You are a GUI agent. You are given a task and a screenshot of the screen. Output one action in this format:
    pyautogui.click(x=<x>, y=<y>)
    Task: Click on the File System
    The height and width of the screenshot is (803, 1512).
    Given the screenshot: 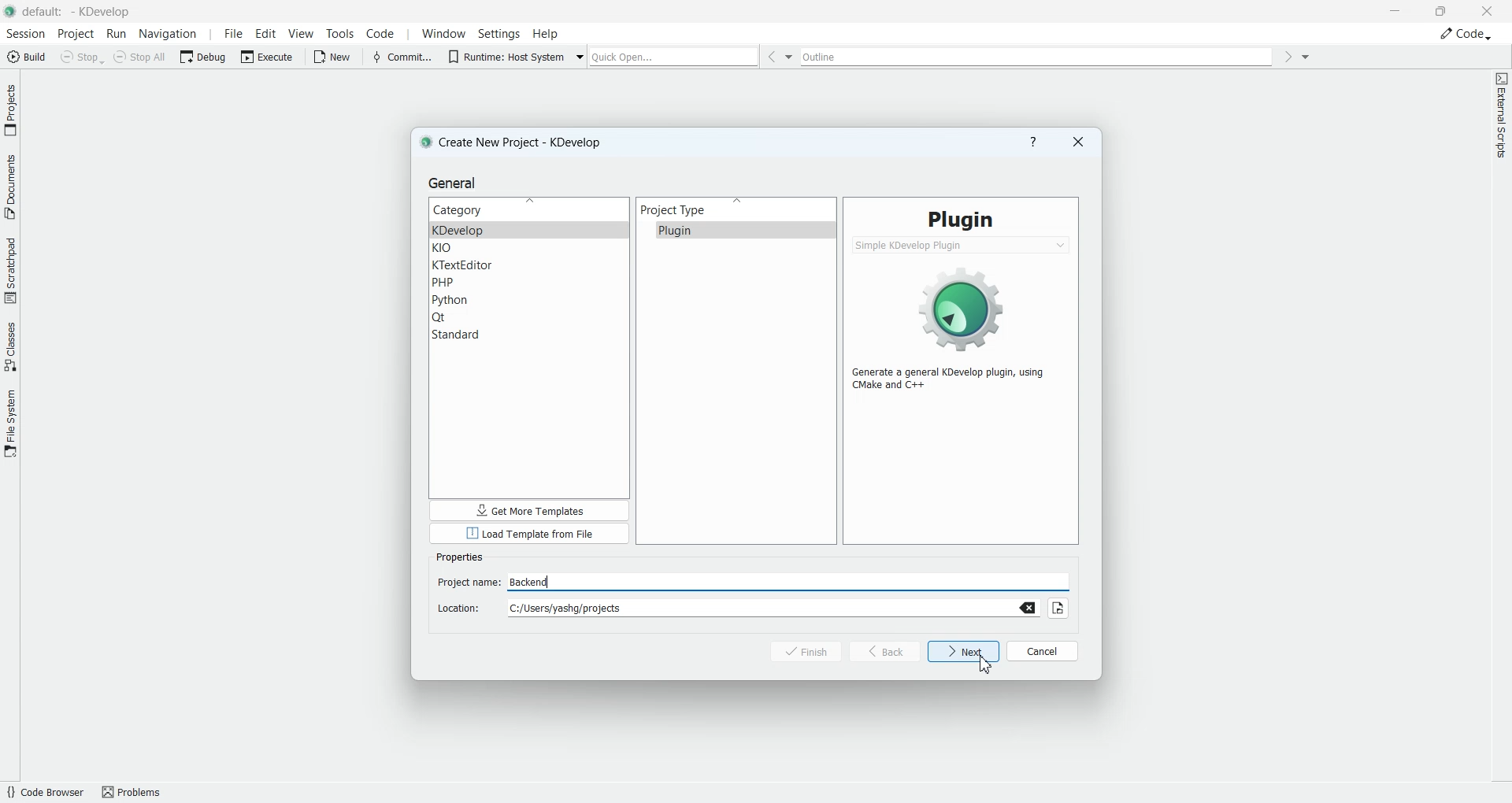 What is the action you would take?
    pyautogui.click(x=10, y=422)
    